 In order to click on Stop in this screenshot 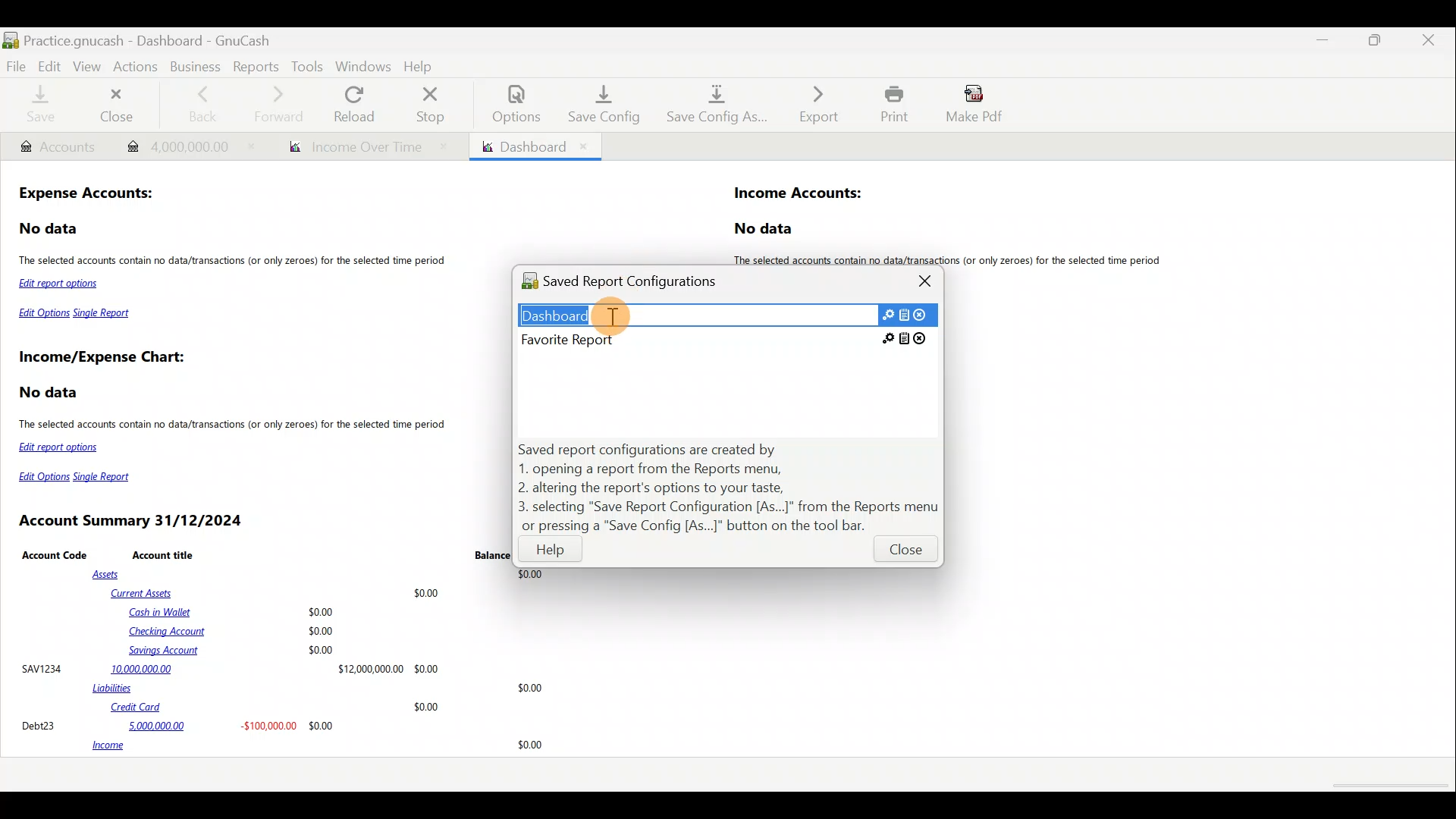, I will do `click(435, 104)`.